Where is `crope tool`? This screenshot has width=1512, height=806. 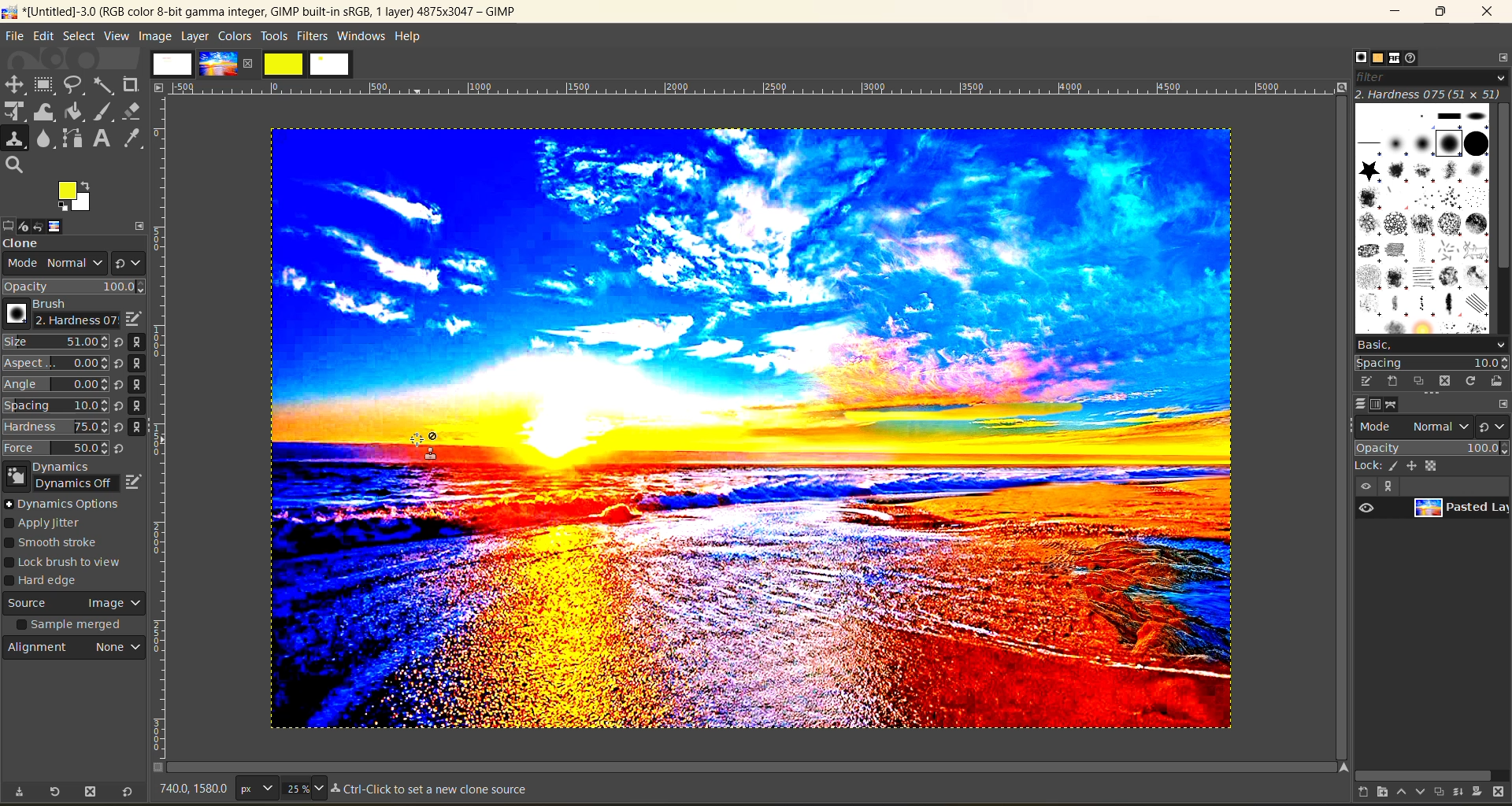
crope tool is located at coordinates (131, 83).